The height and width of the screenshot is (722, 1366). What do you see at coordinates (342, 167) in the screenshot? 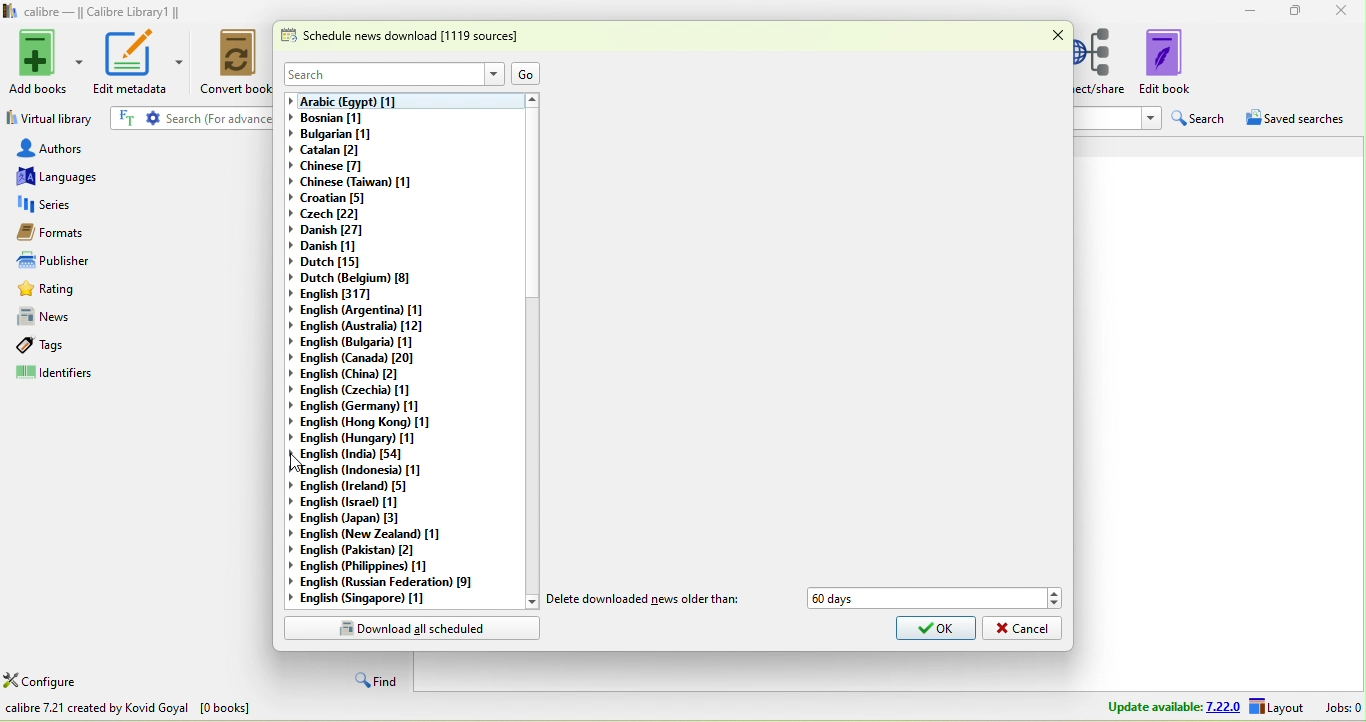
I see `chinese [7]` at bounding box center [342, 167].